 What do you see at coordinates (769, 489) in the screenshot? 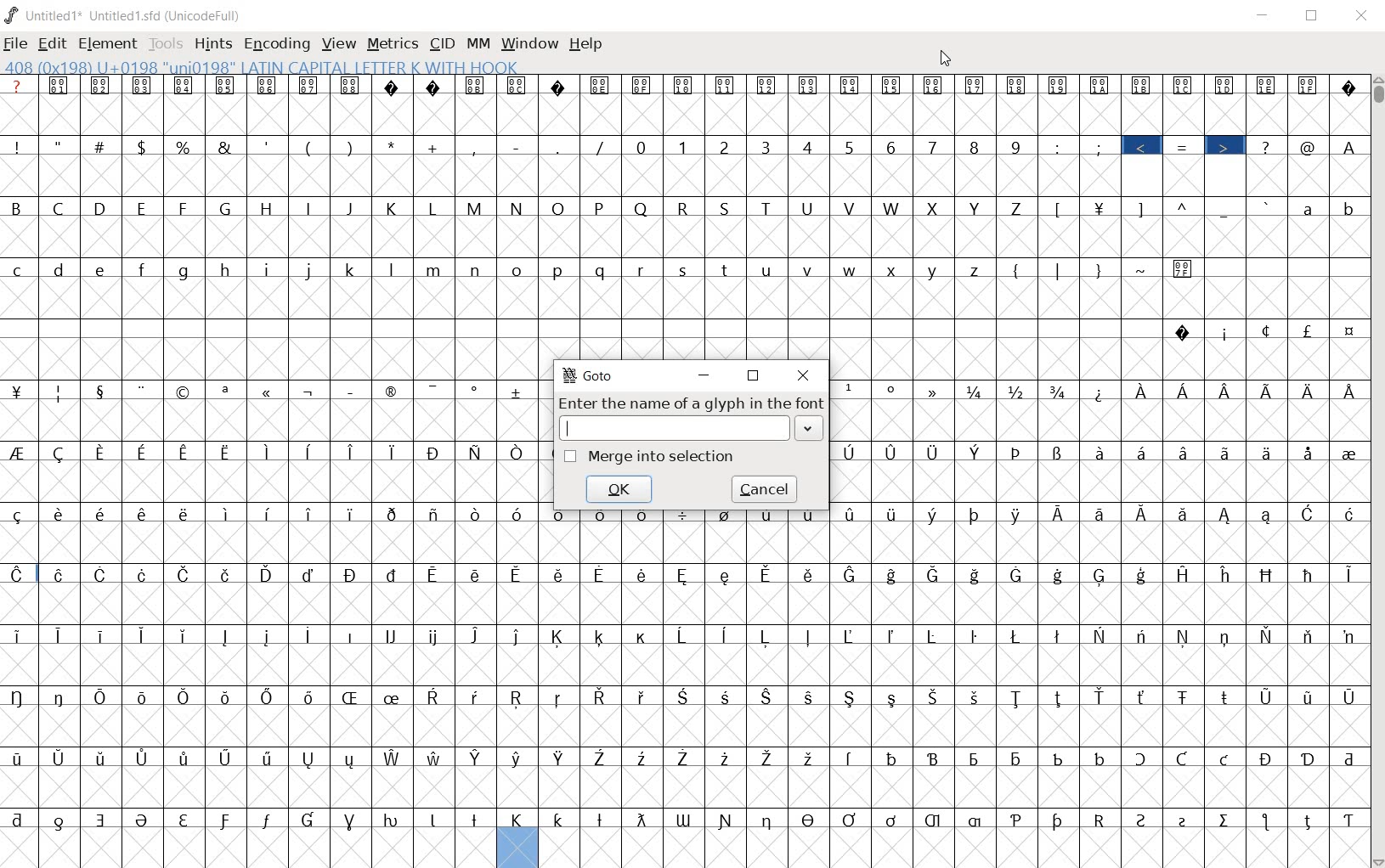
I see `cancel` at bounding box center [769, 489].